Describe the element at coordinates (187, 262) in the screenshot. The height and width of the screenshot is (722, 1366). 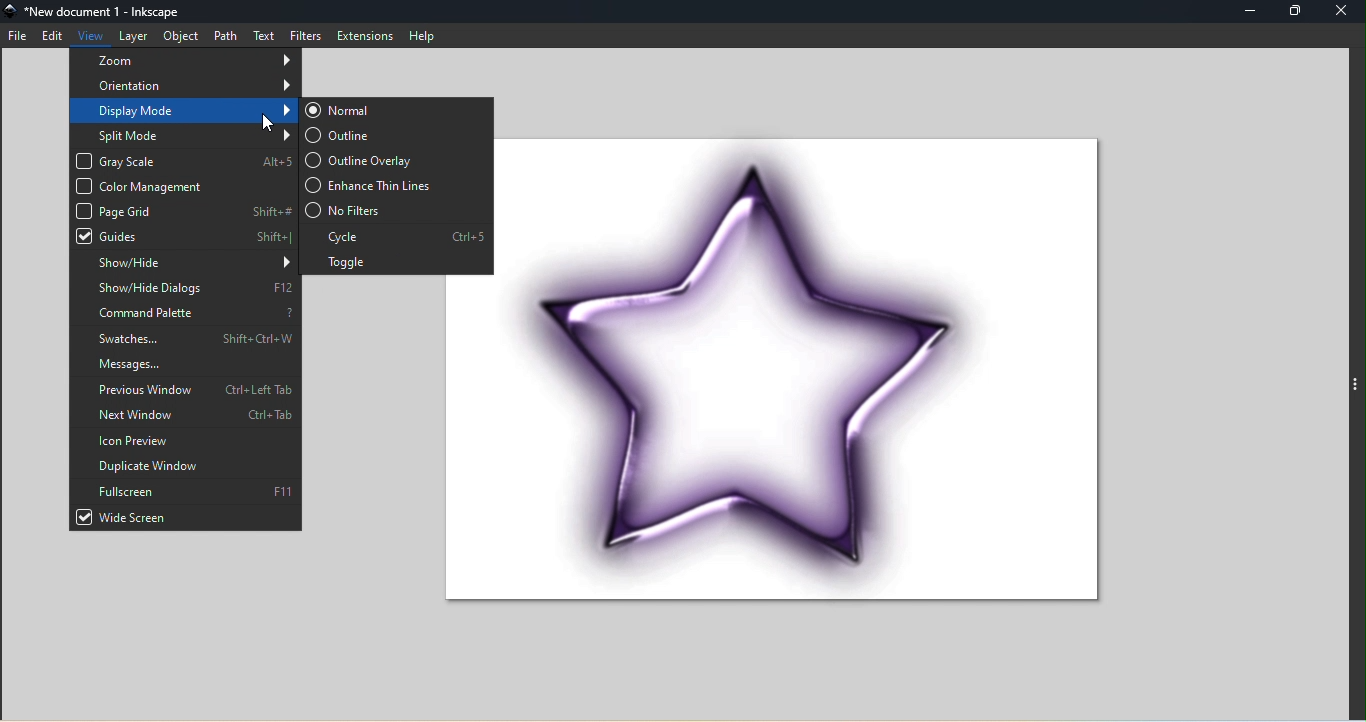
I see `Show/hide` at that location.